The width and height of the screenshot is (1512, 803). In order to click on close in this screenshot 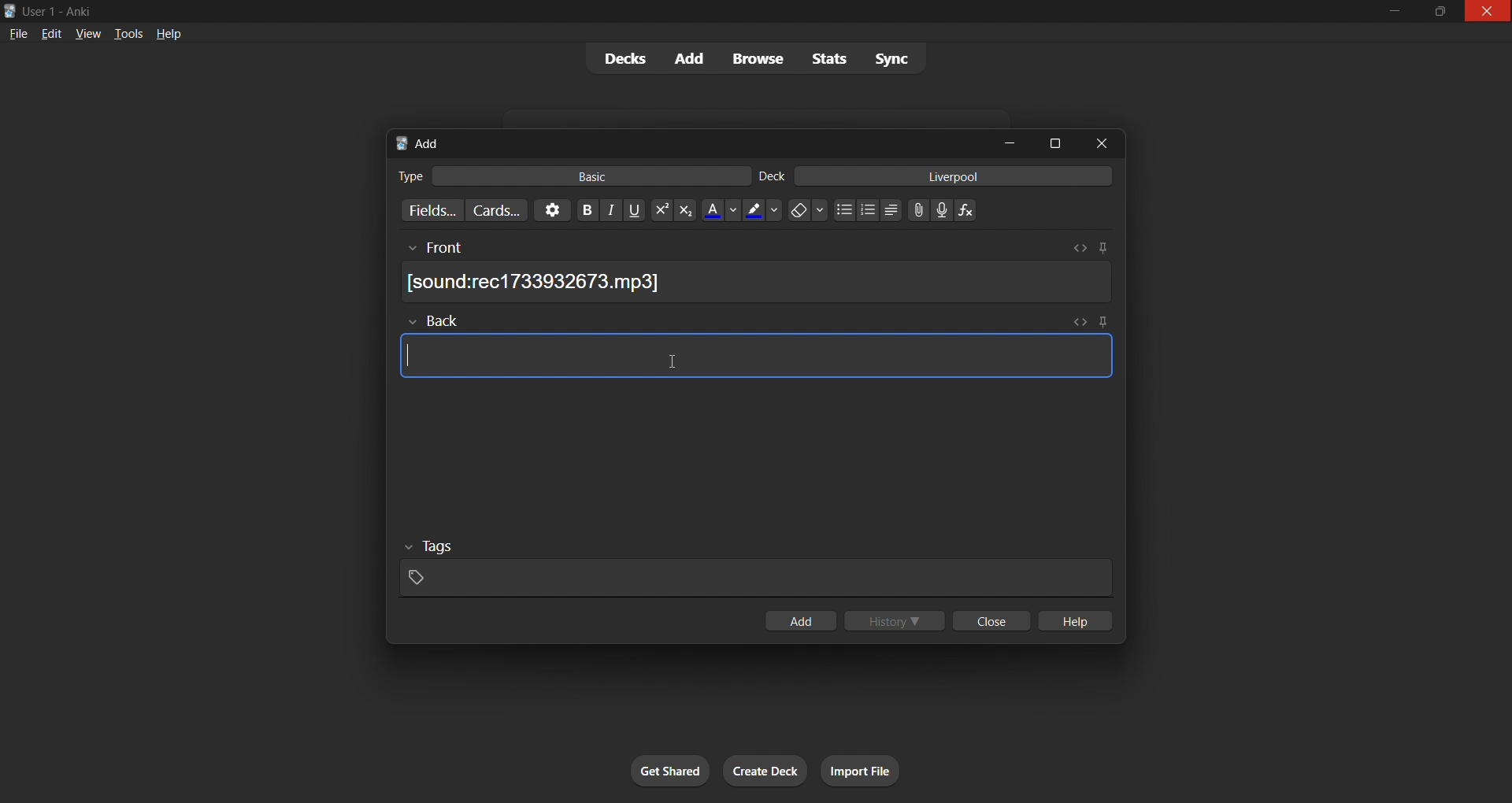, I will do `click(1487, 13)`.